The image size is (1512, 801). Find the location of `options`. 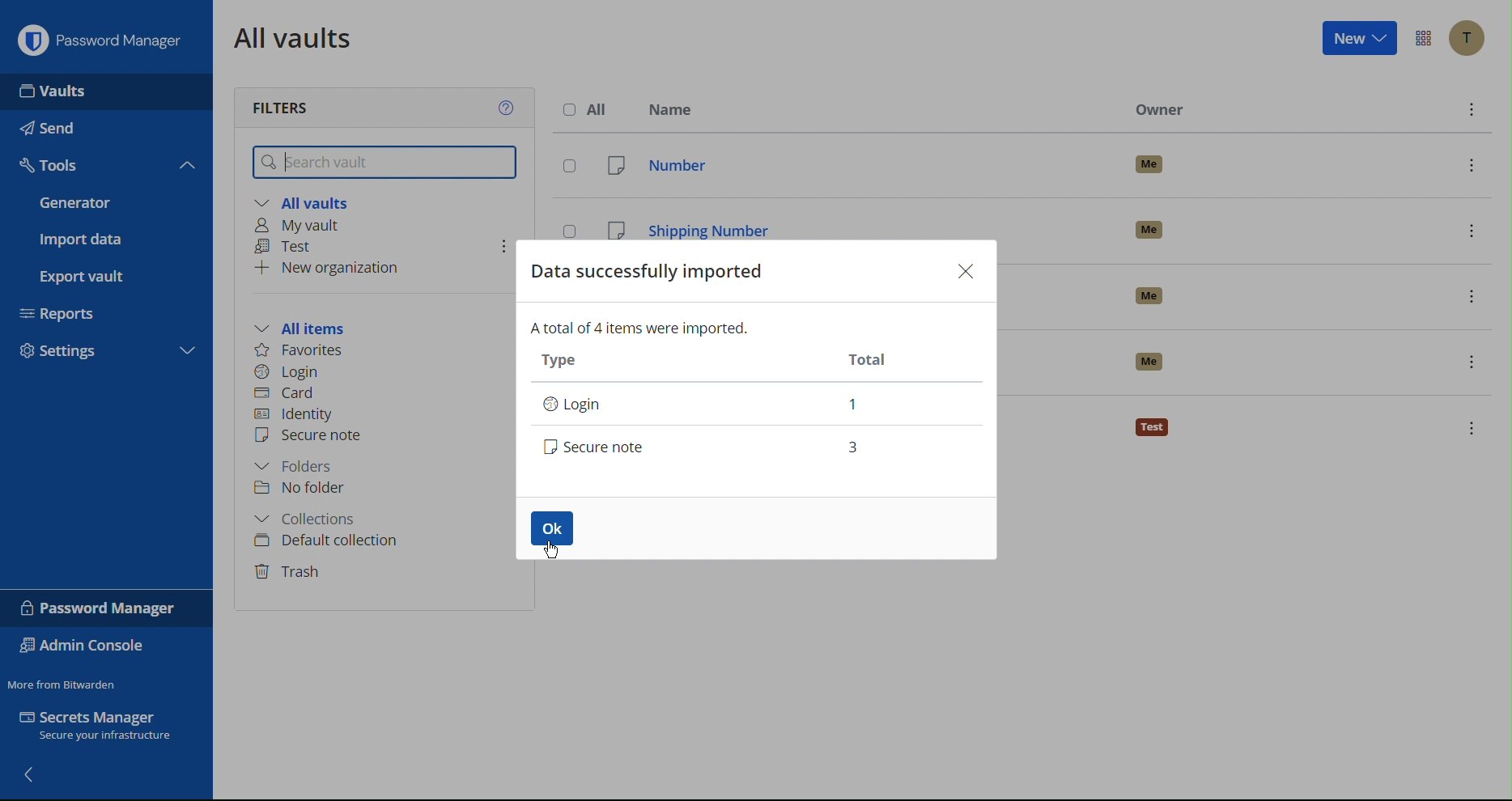

options is located at coordinates (1472, 230).